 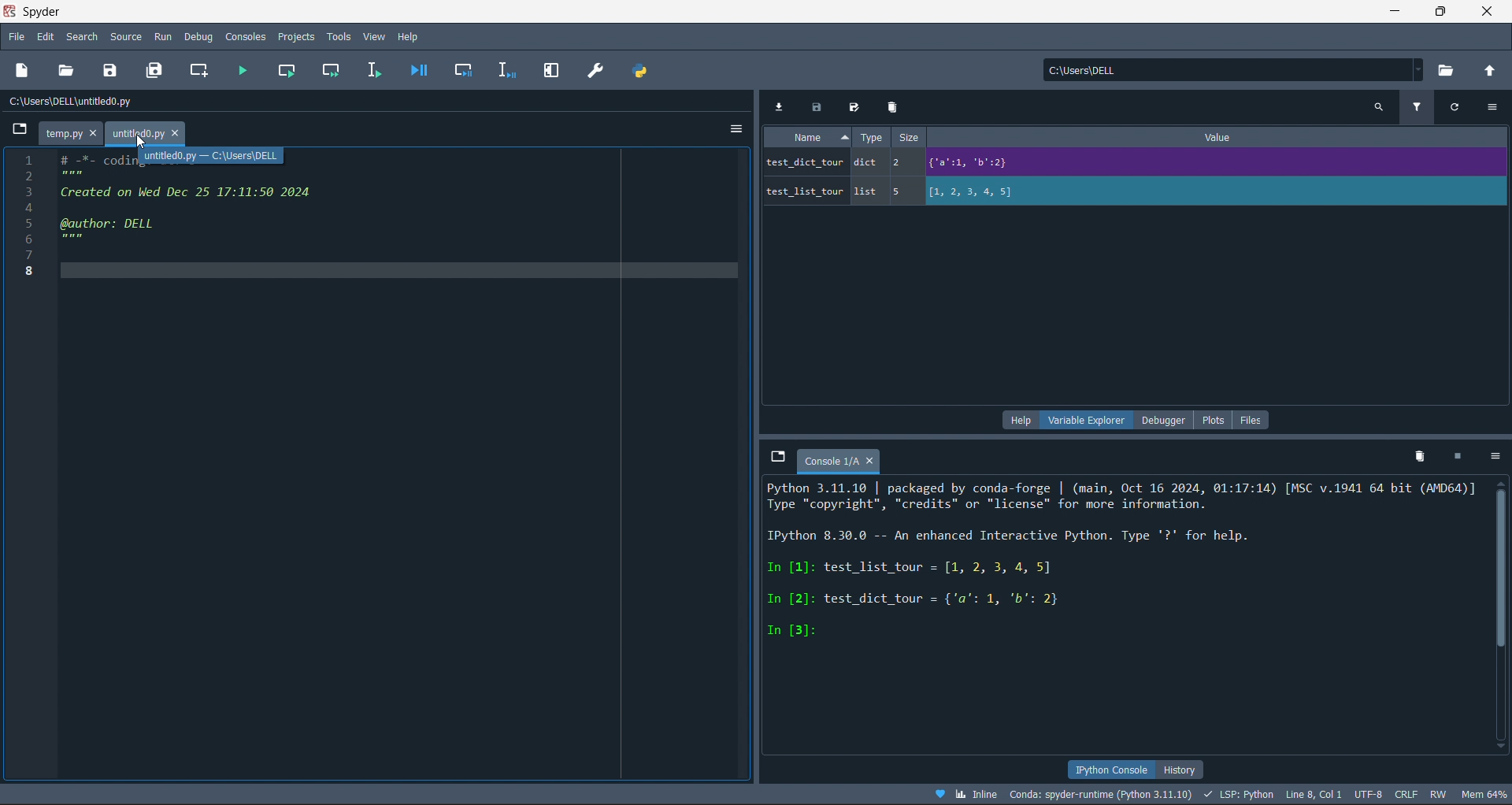 What do you see at coordinates (339, 35) in the screenshot?
I see `tools` at bounding box center [339, 35].